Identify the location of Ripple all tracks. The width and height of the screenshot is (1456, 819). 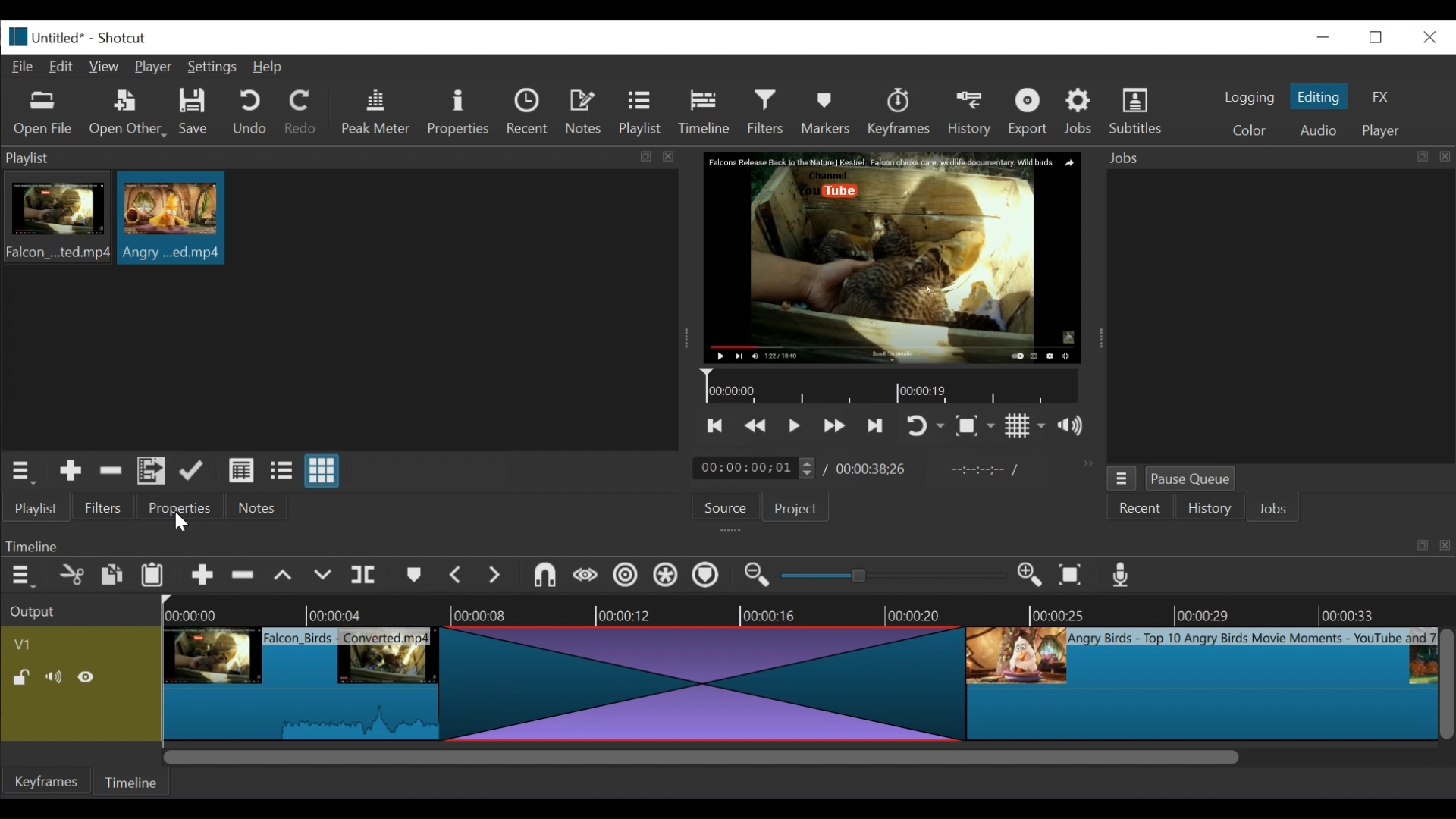
(665, 577).